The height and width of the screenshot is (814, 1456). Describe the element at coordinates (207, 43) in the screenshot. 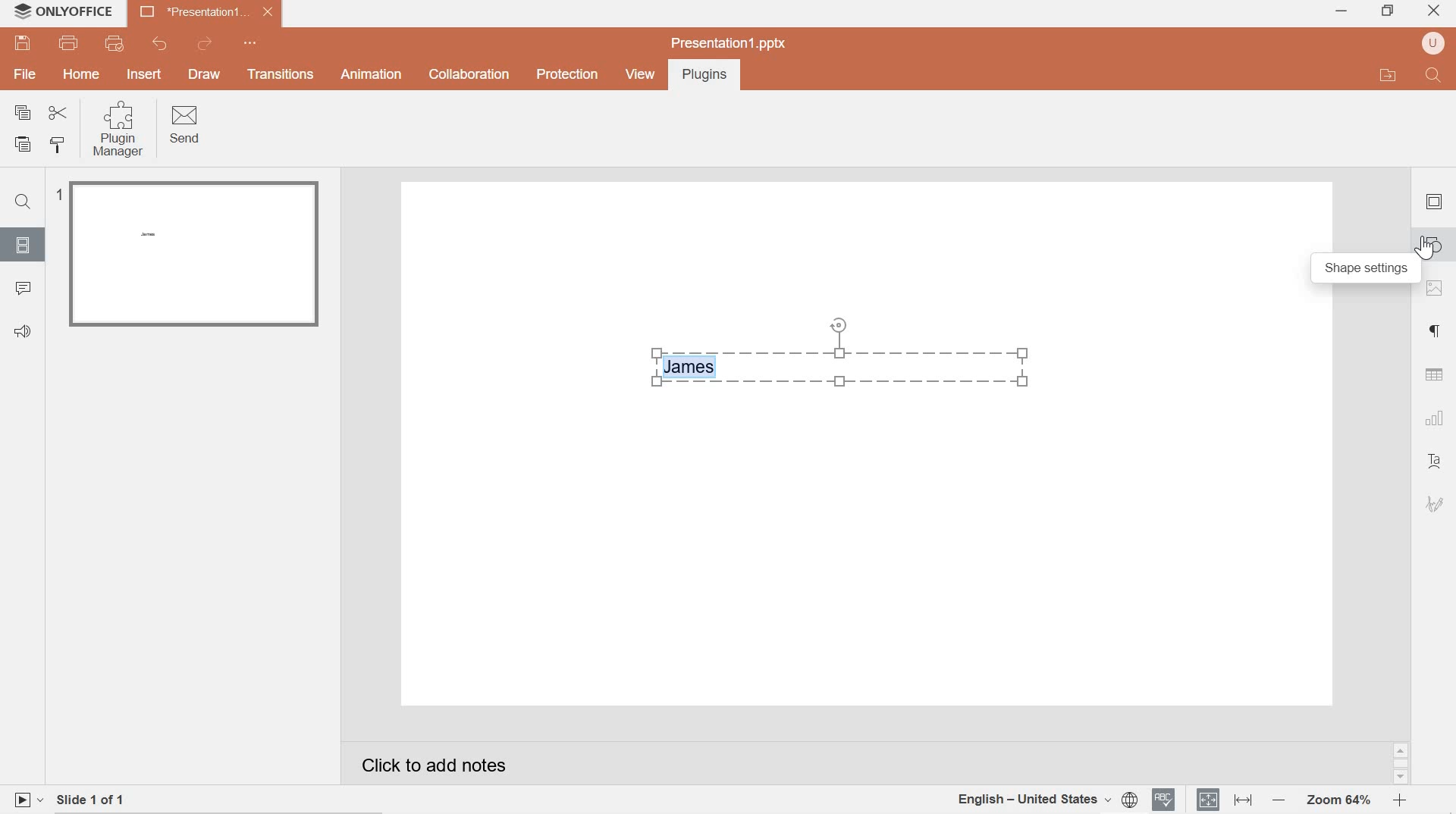

I see `redo` at that location.